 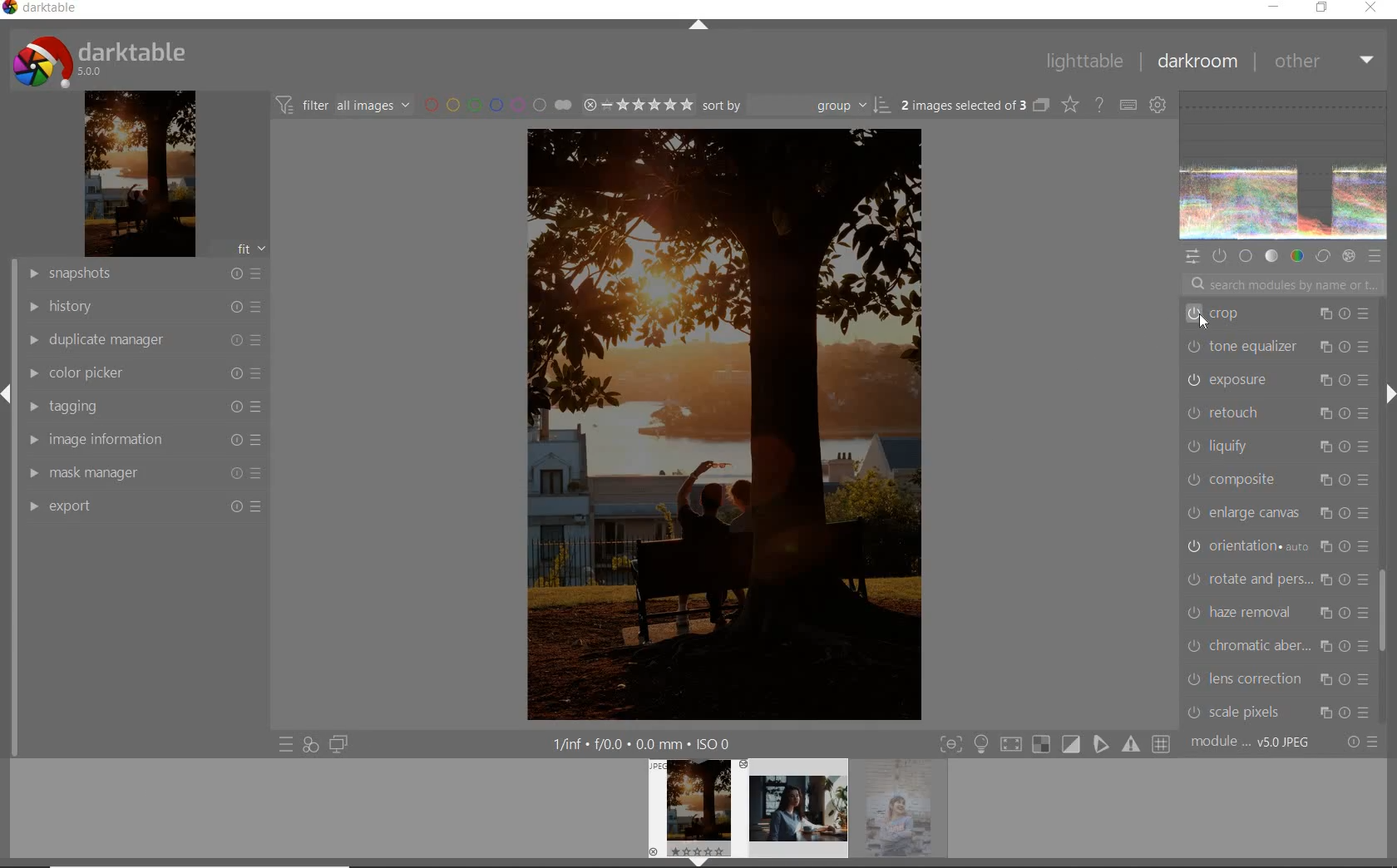 I want to click on selected image, so click(x=723, y=422).